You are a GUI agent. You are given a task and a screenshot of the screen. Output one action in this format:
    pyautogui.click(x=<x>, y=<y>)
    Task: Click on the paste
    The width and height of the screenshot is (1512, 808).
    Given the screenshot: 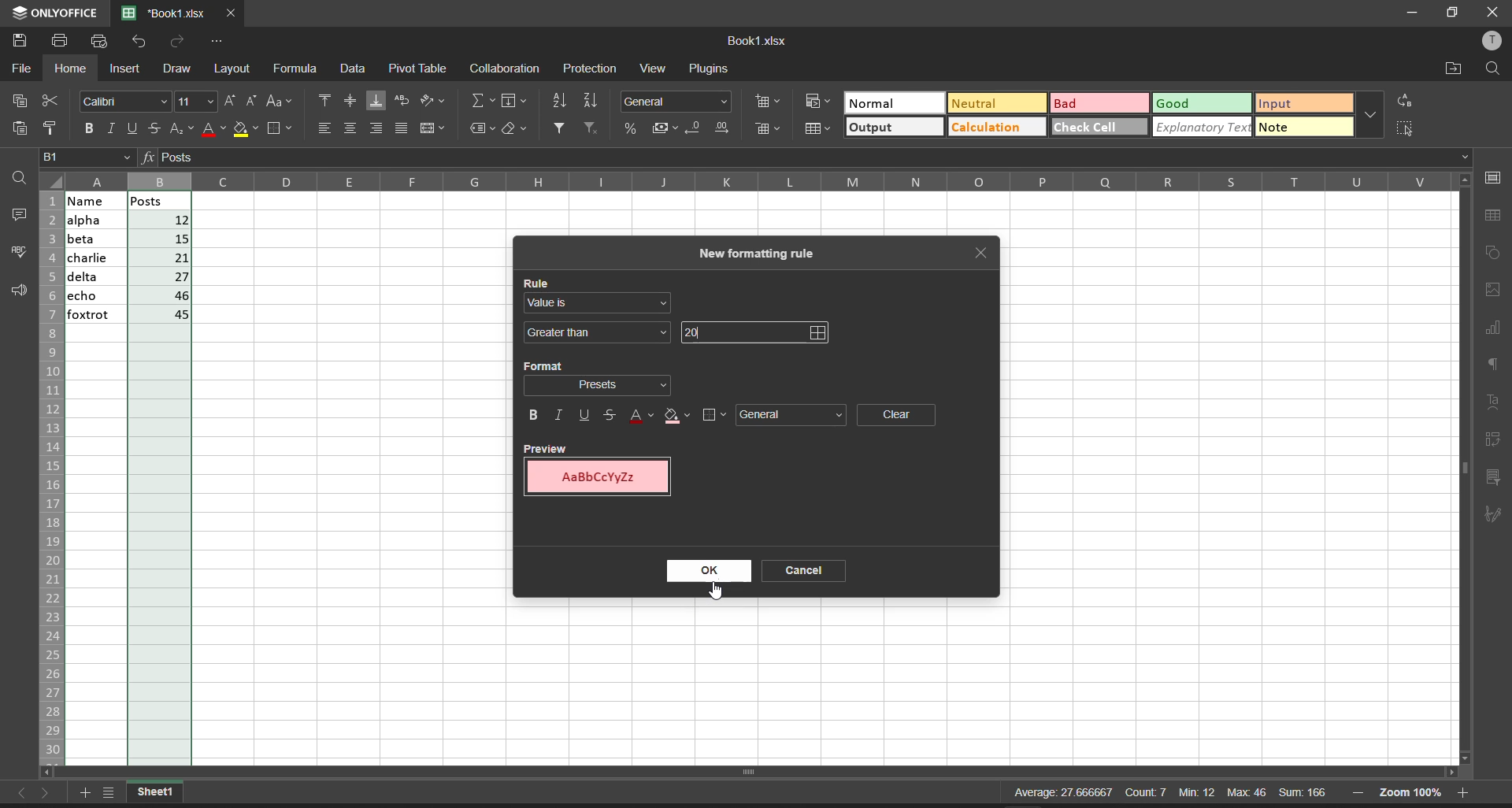 What is the action you would take?
    pyautogui.click(x=20, y=129)
    